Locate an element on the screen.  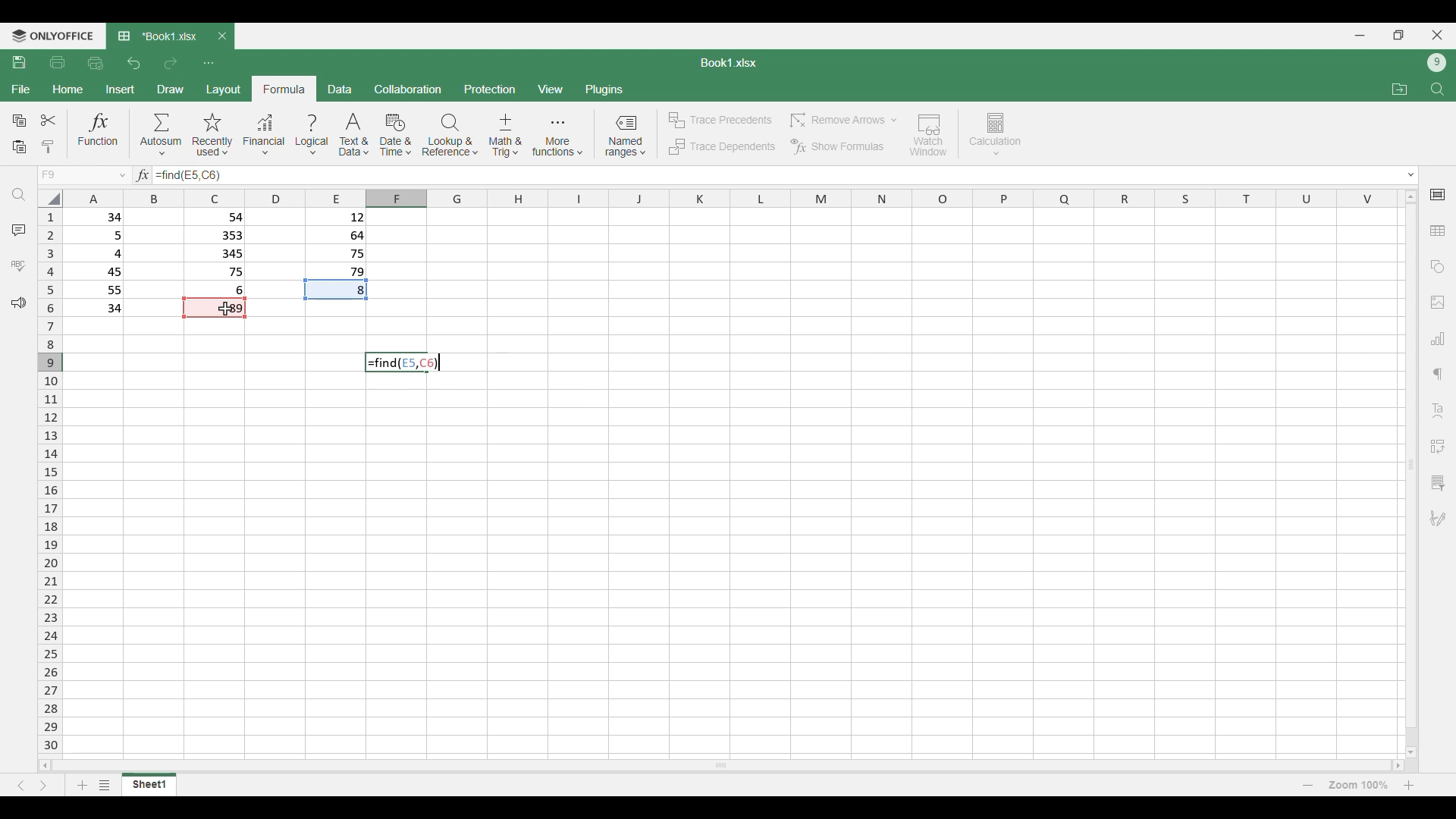
File menu is located at coordinates (21, 89).